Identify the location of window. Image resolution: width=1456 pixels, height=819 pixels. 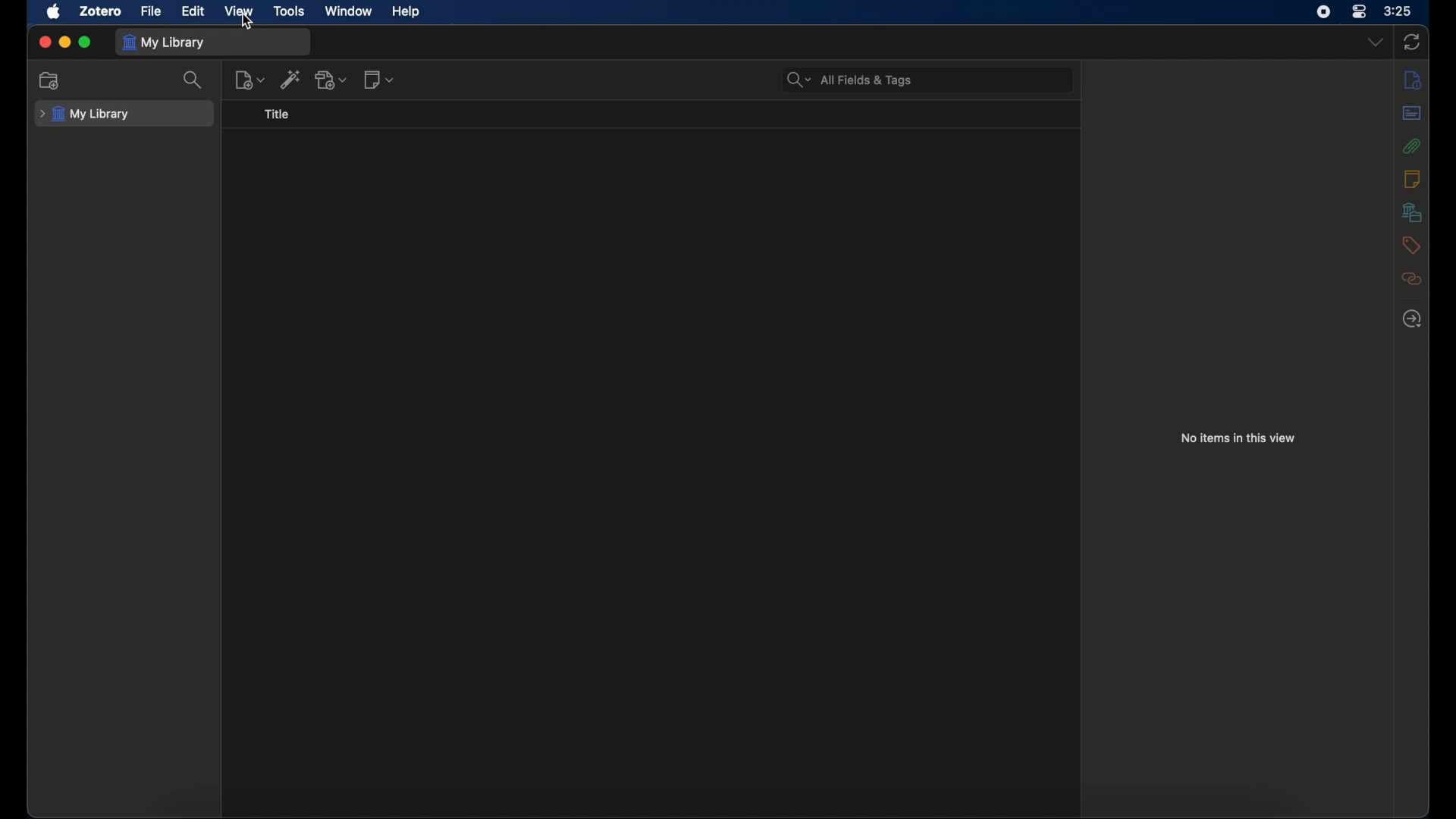
(347, 11).